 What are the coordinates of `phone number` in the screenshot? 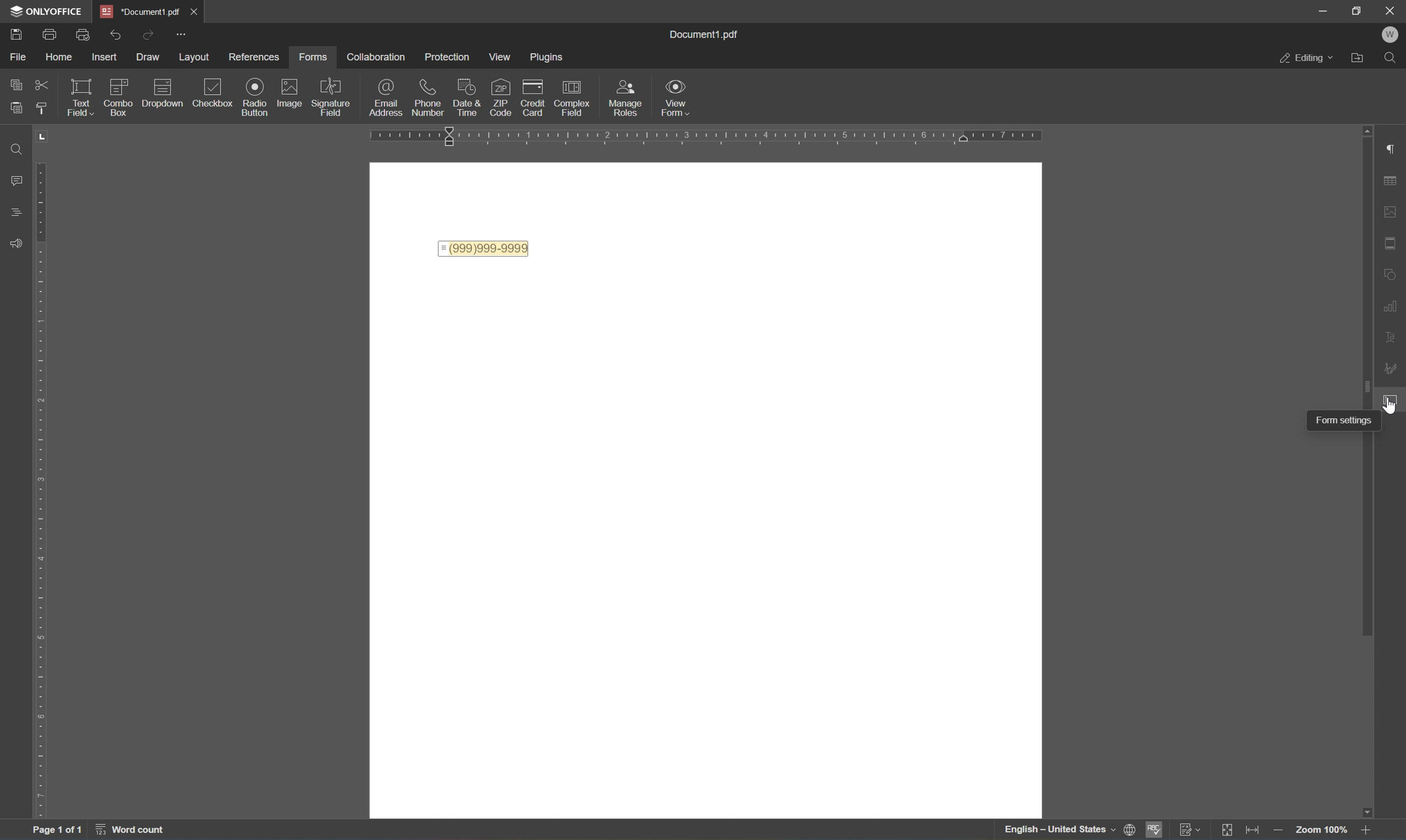 It's located at (430, 98).